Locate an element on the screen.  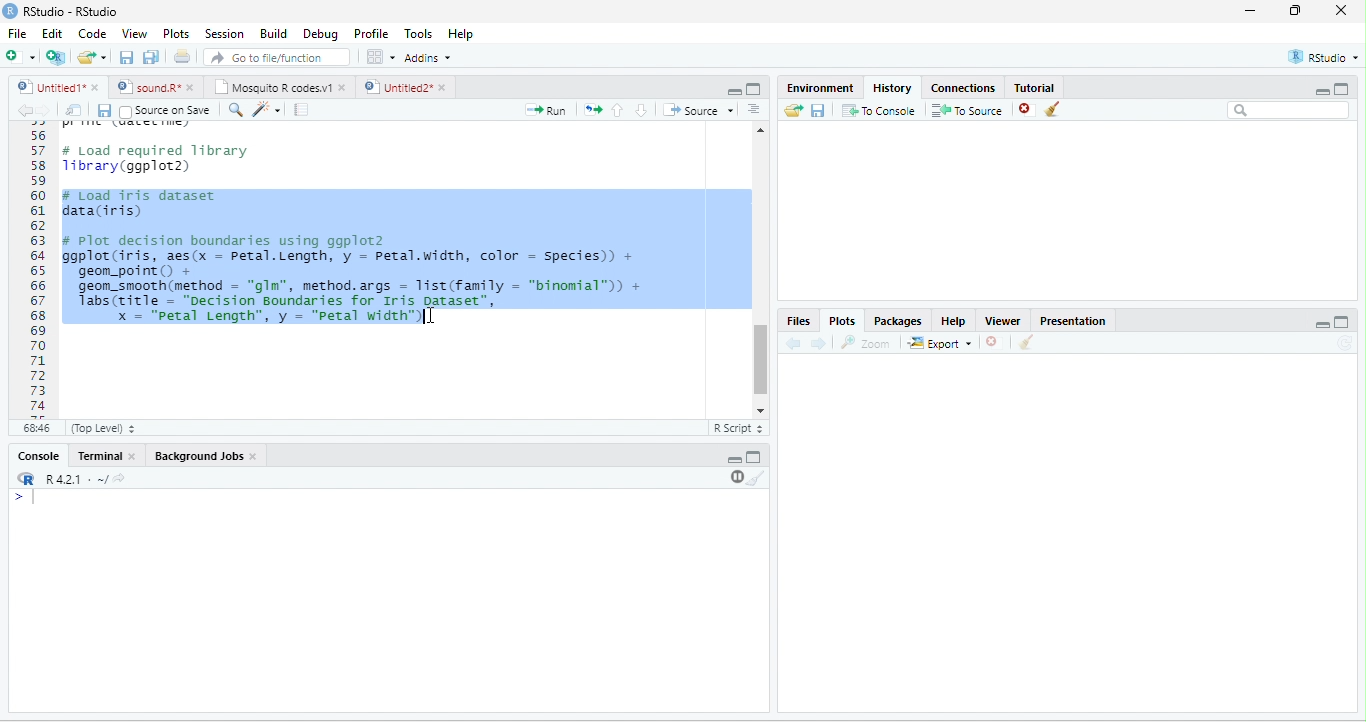
new project is located at coordinates (56, 58).